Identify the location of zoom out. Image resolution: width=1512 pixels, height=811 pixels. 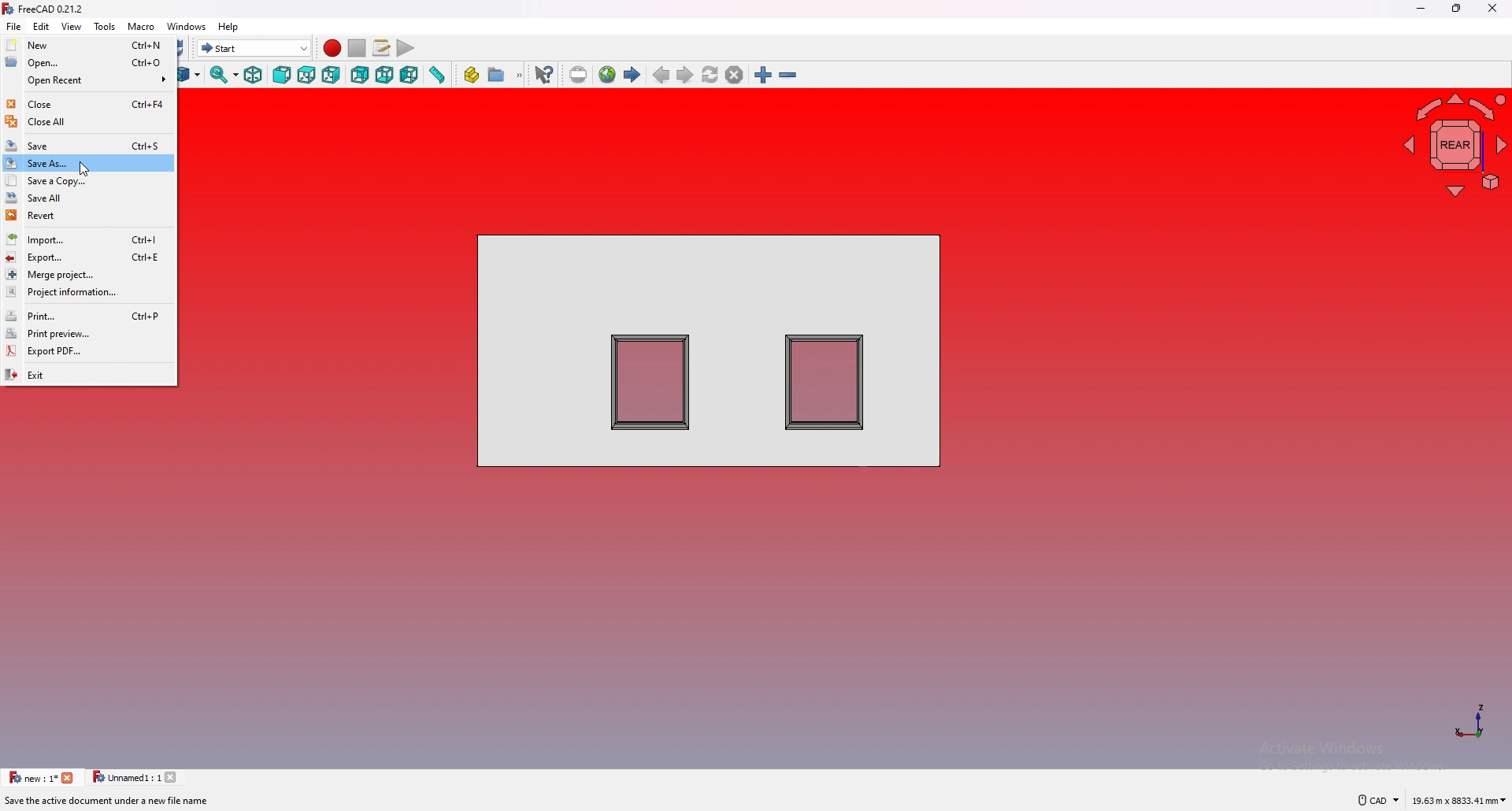
(788, 75).